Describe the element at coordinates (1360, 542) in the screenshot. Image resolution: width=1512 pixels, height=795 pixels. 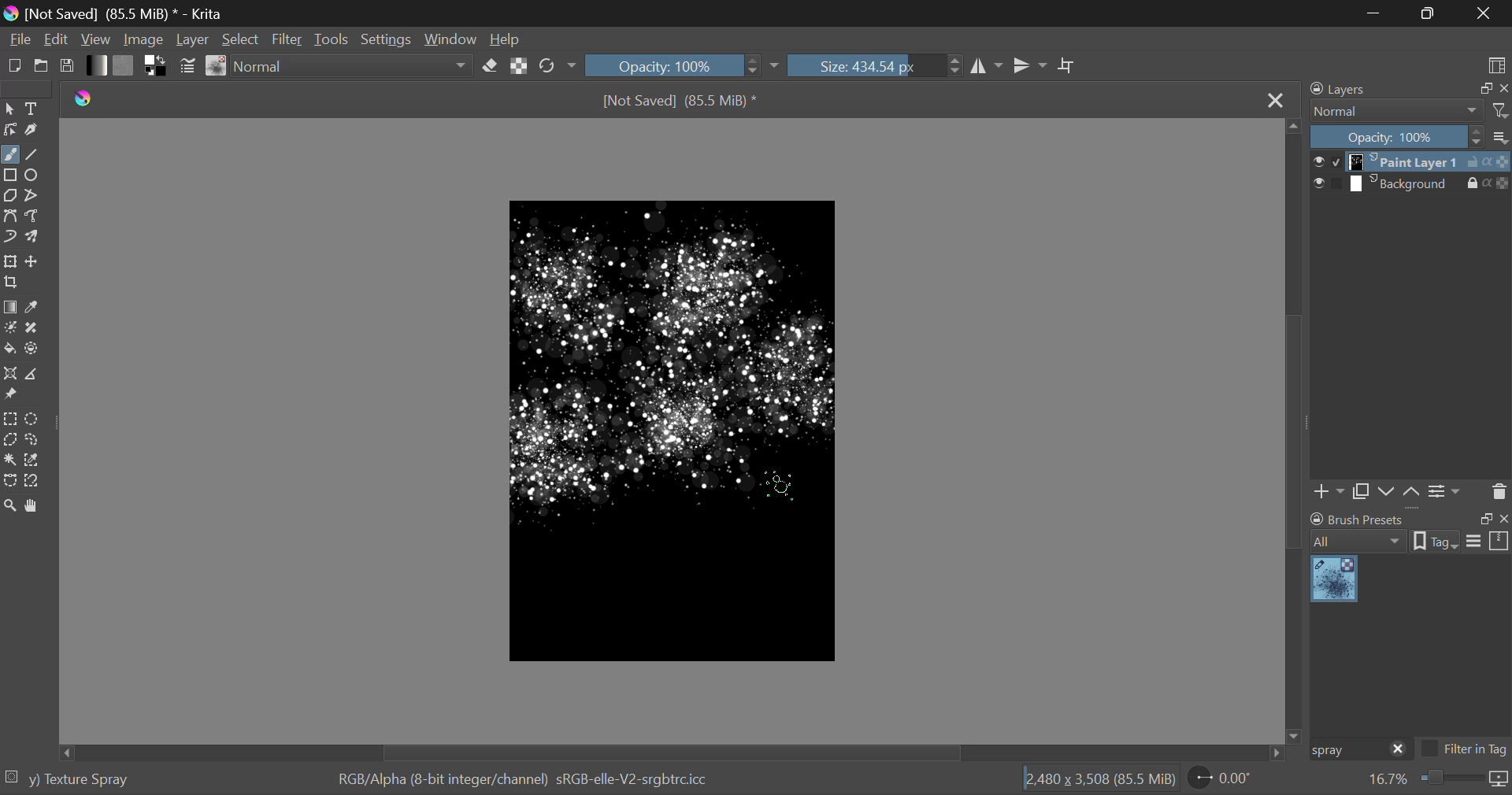
I see `all` at that location.